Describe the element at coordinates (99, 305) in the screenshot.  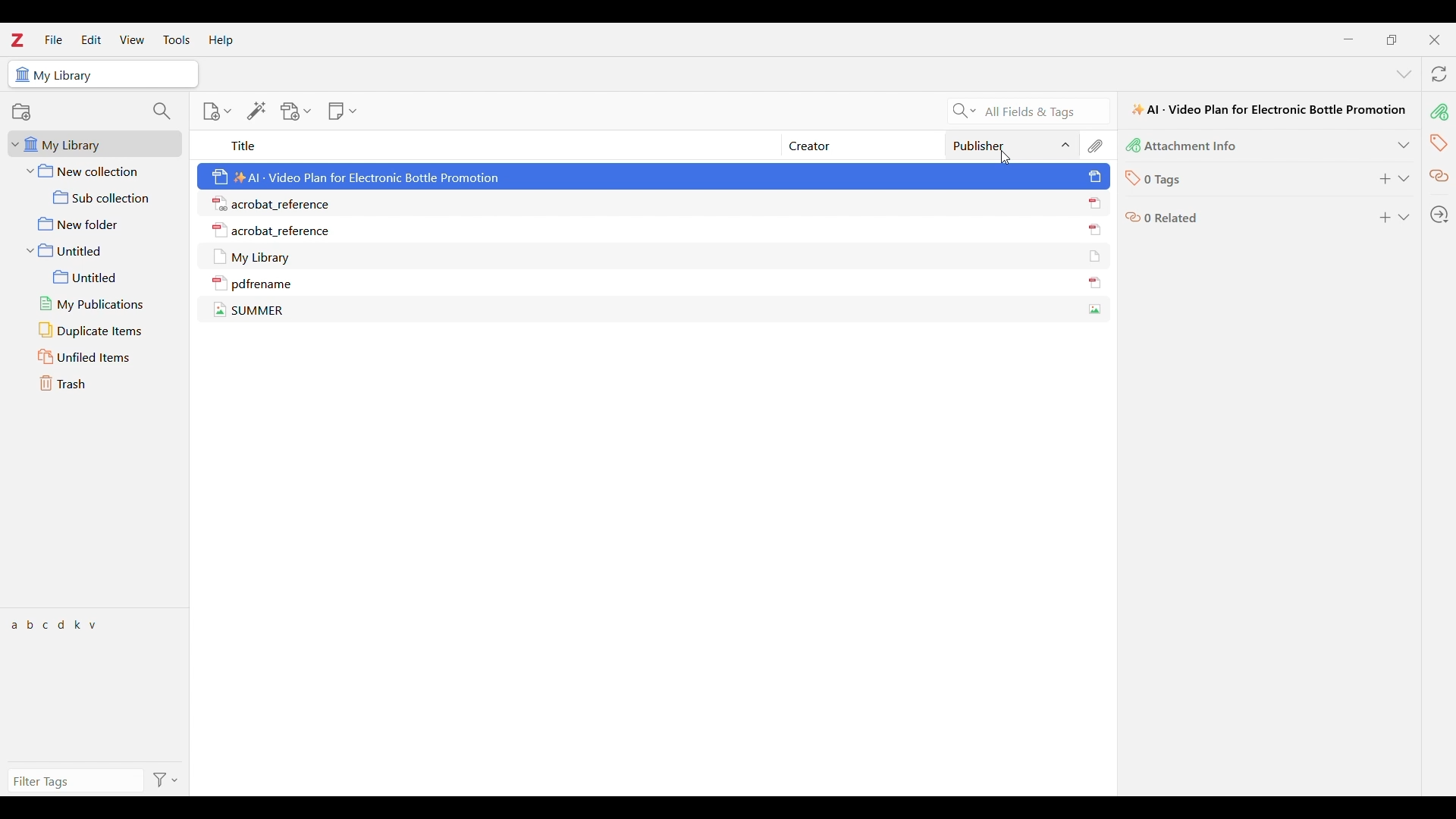
I see `My publications` at that location.